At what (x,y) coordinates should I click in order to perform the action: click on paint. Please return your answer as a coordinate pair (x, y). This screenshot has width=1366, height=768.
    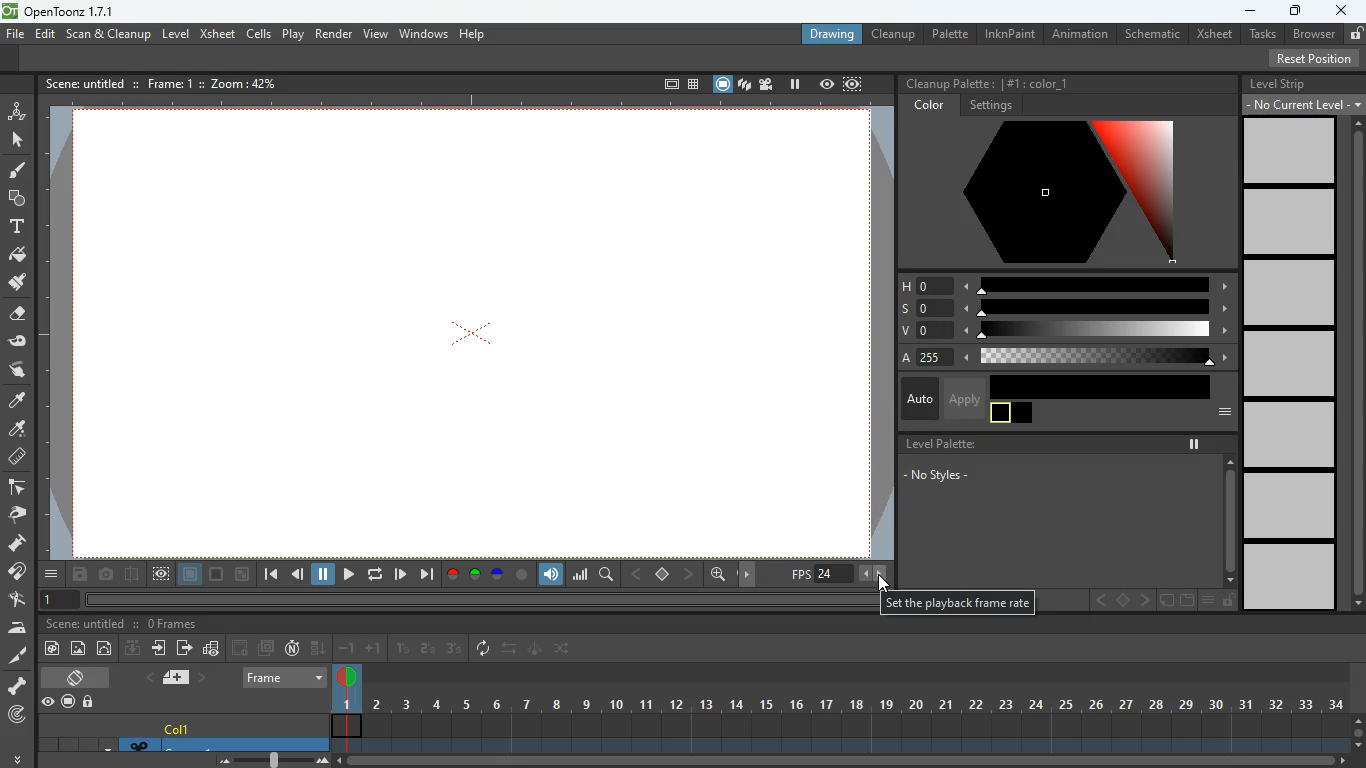
    Looking at the image, I should click on (16, 173).